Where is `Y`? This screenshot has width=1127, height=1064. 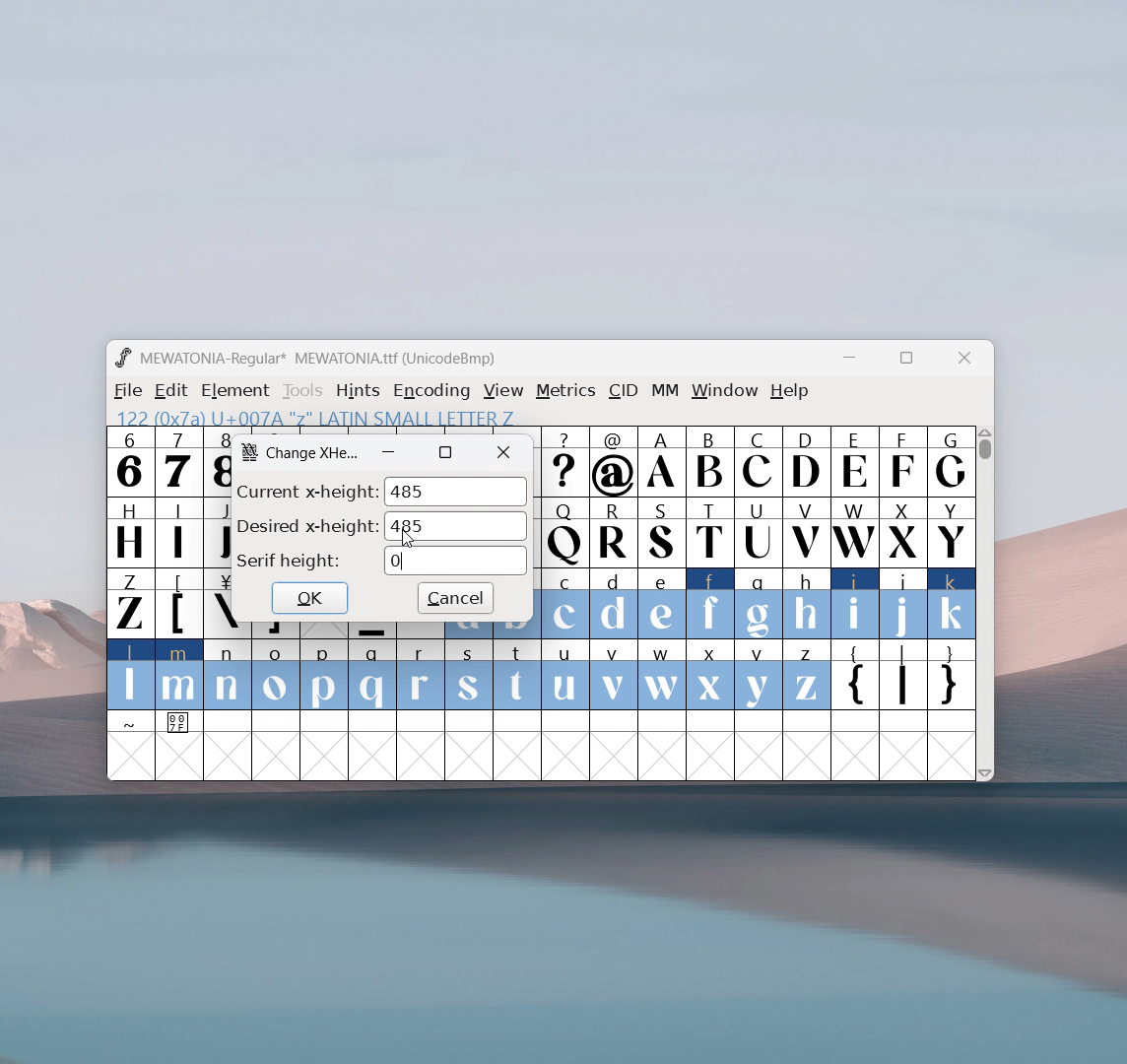
Y is located at coordinates (952, 531).